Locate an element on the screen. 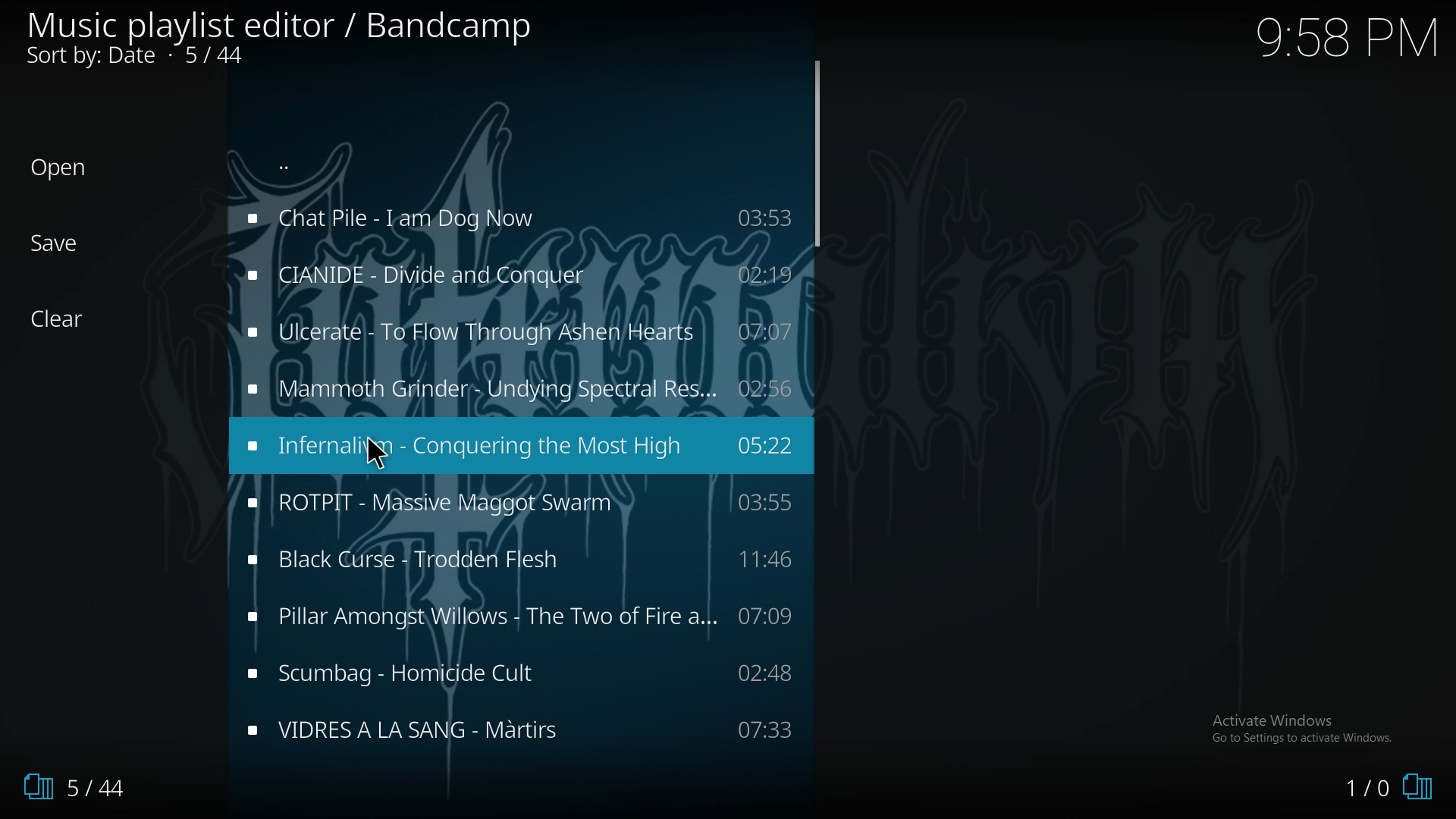 This screenshot has height=819, width=1456. 9.58 PM is located at coordinates (1346, 37).